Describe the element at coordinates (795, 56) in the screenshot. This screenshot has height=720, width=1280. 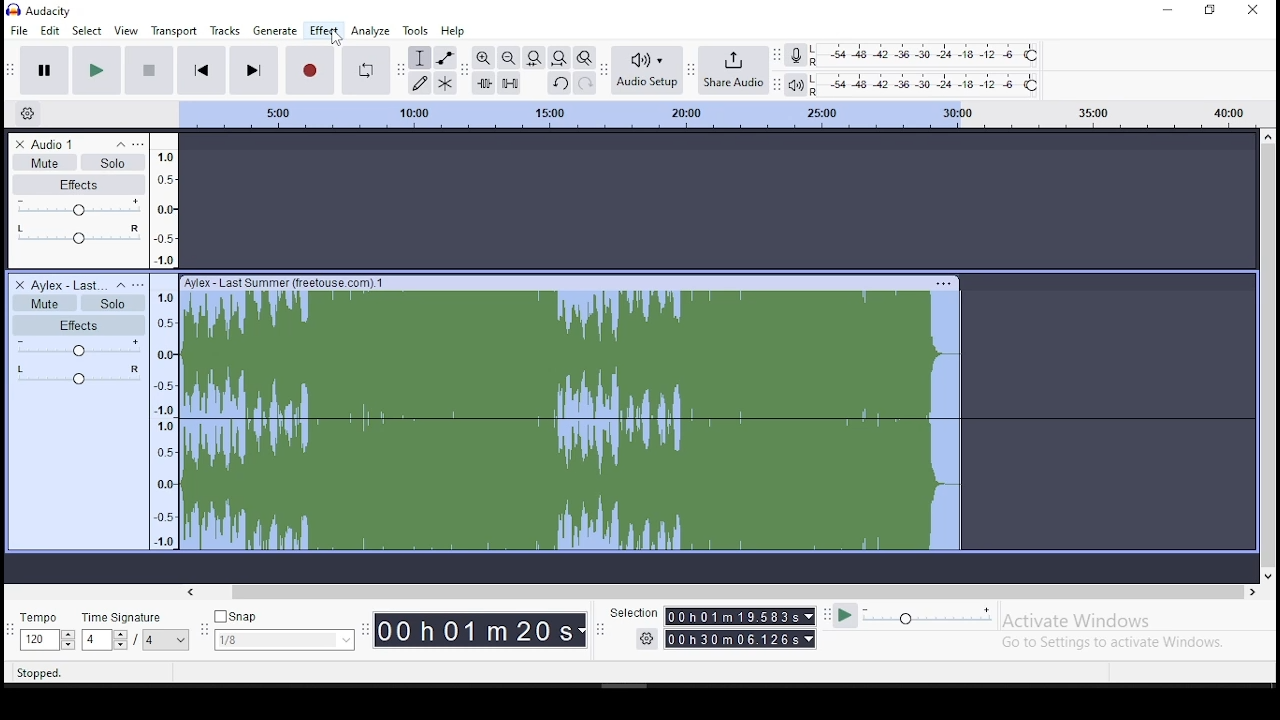
I see `record meter` at that location.